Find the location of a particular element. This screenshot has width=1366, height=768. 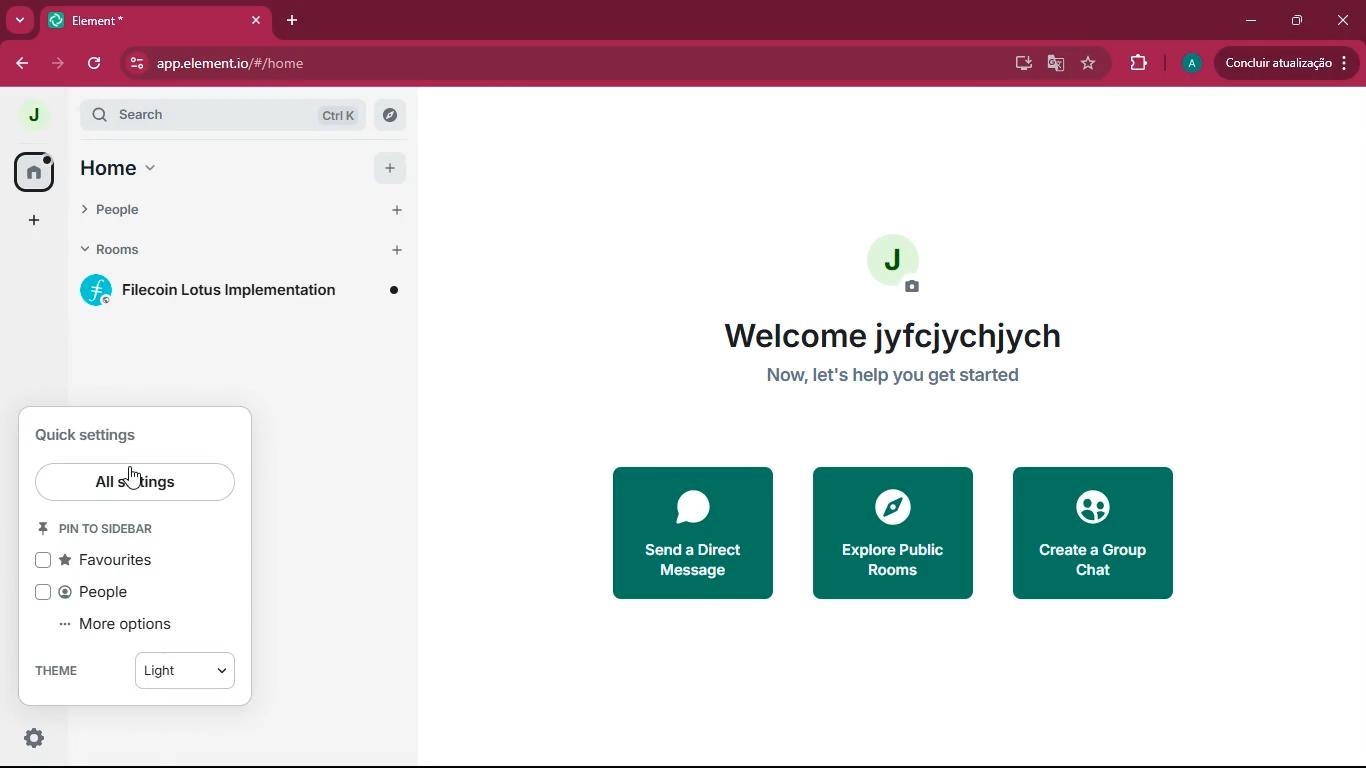

add tab is located at coordinates (288, 20).